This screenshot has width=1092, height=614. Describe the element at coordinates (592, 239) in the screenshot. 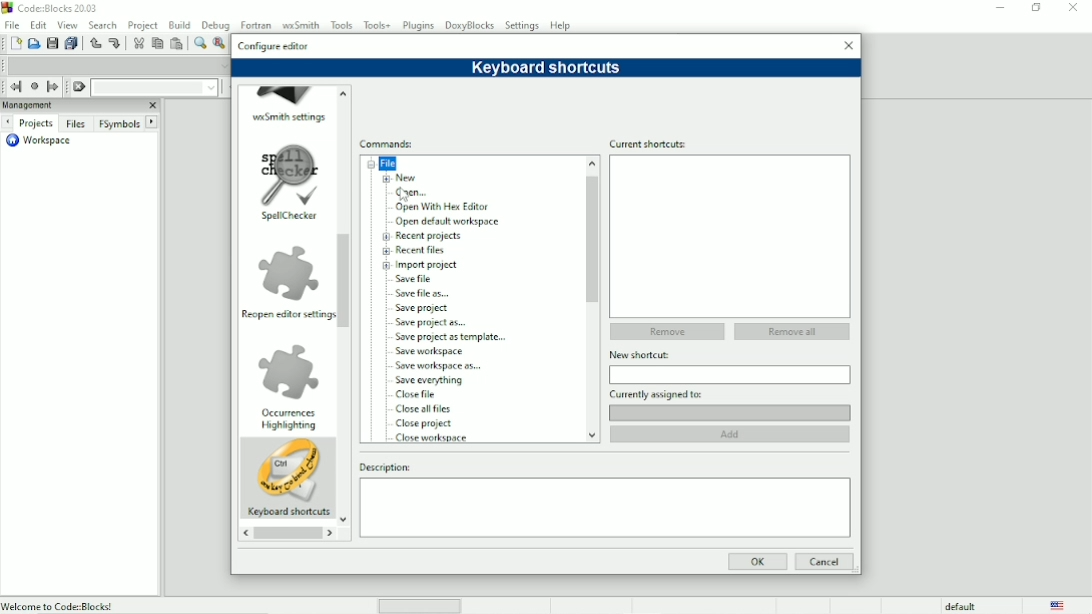

I see `Vertical scrollbar` at that location.